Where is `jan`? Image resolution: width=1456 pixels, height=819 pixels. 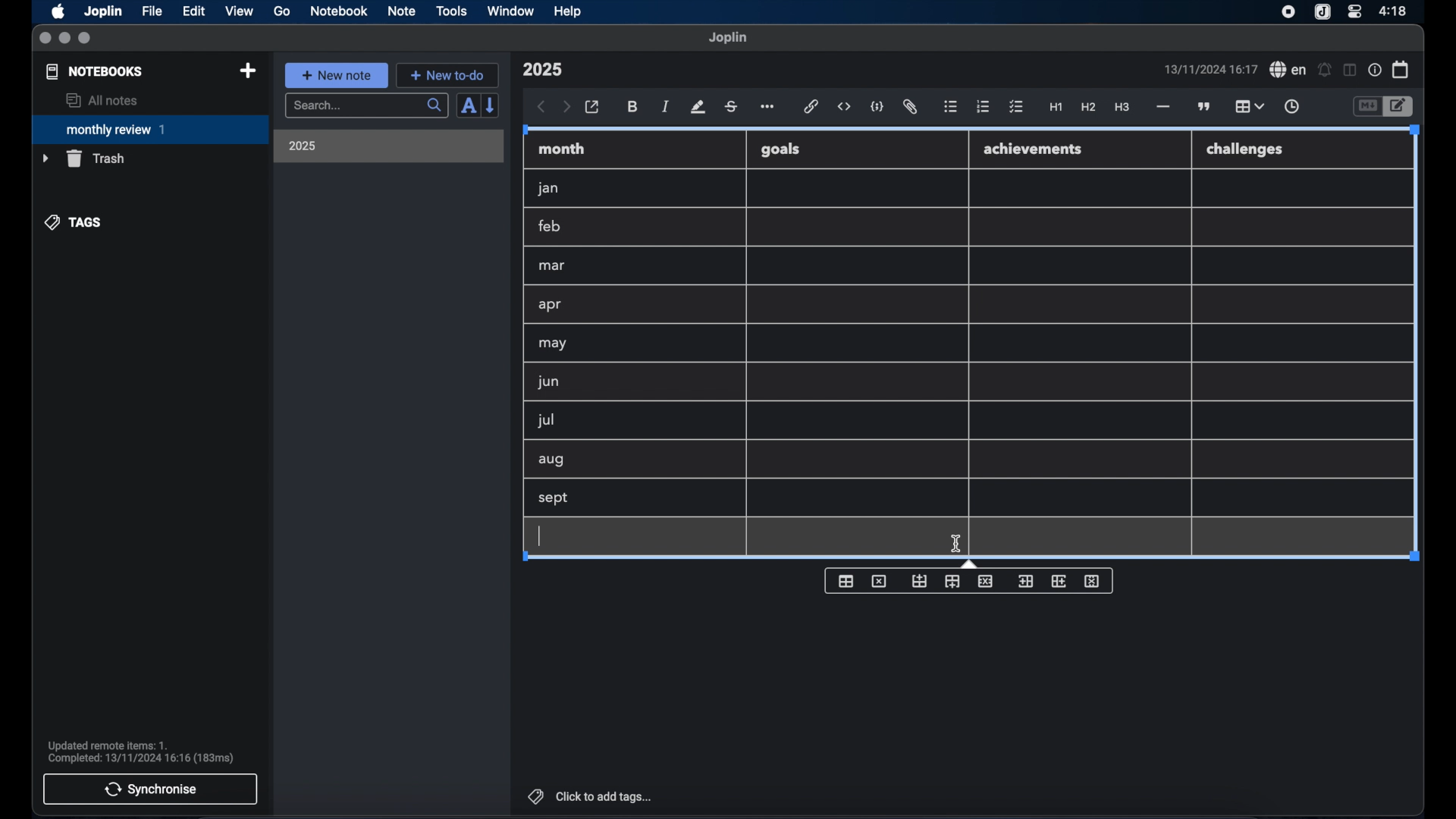
jan is located at coordinates (548, 189).